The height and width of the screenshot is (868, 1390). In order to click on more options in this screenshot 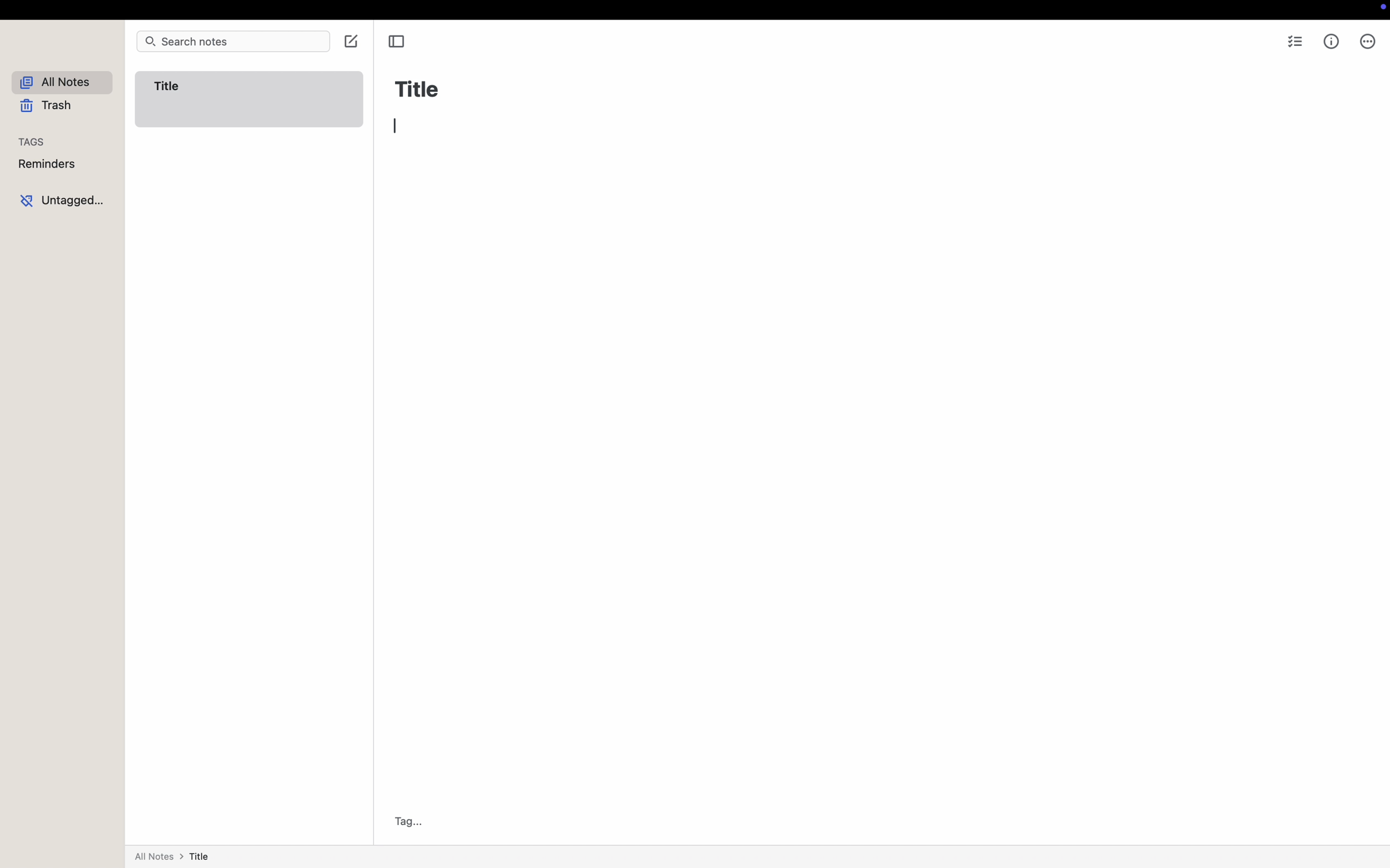, I will do `click(1368, 41)`.